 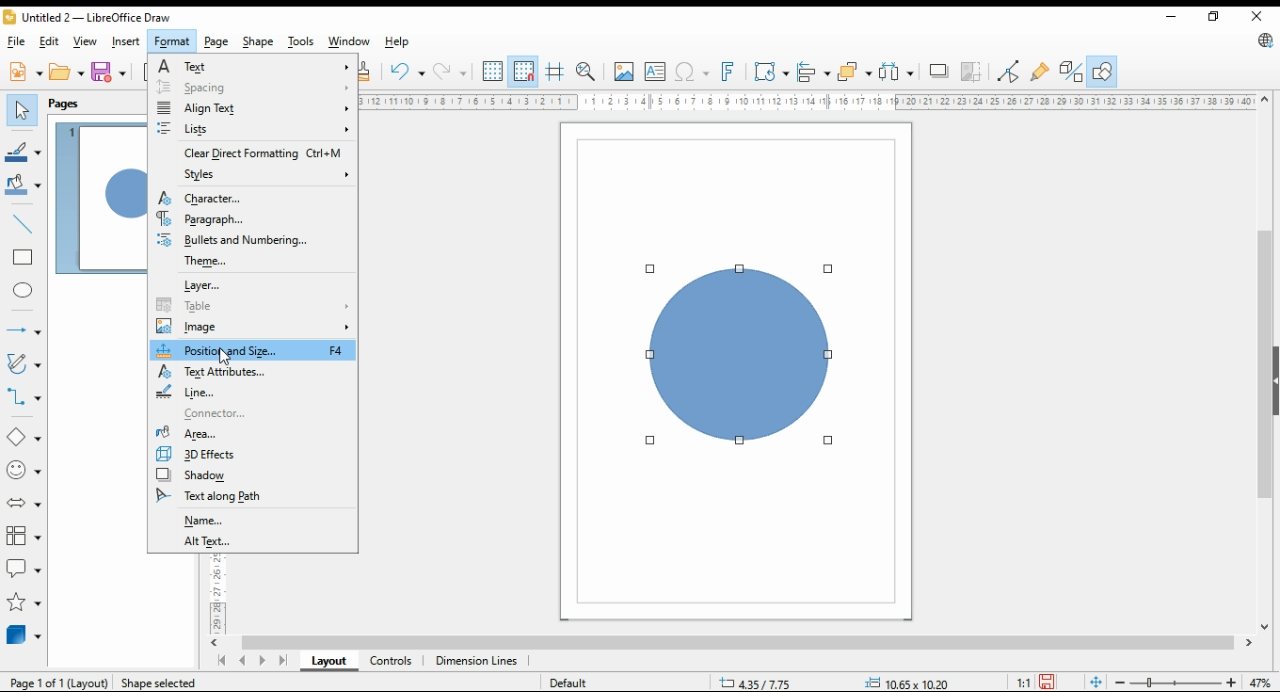 What do you see at coordinates (328, 661) in the screenshot?
I see `layout` at bounding box center [328, 661].